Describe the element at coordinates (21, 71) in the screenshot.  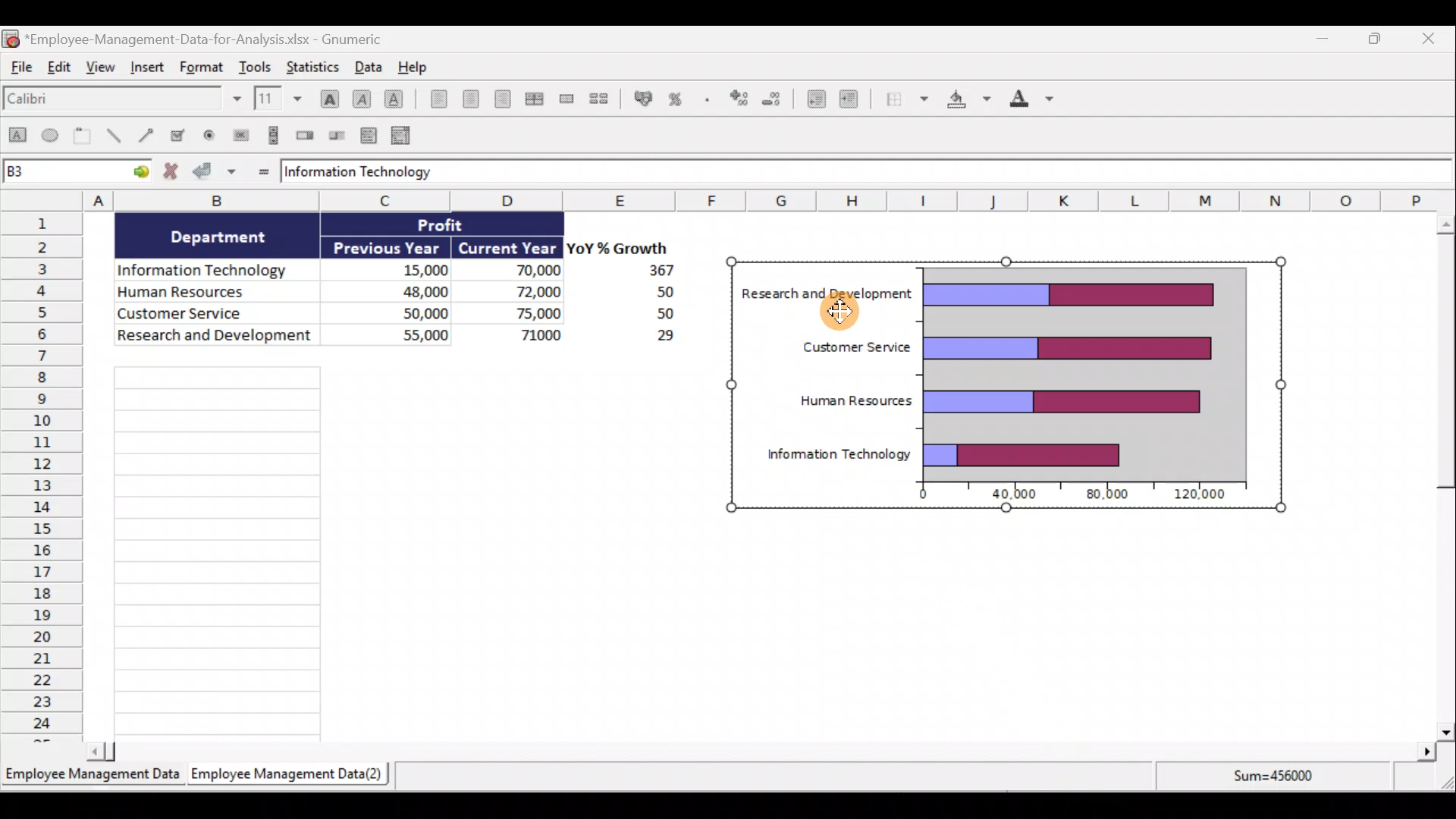
I see `File` at that location.